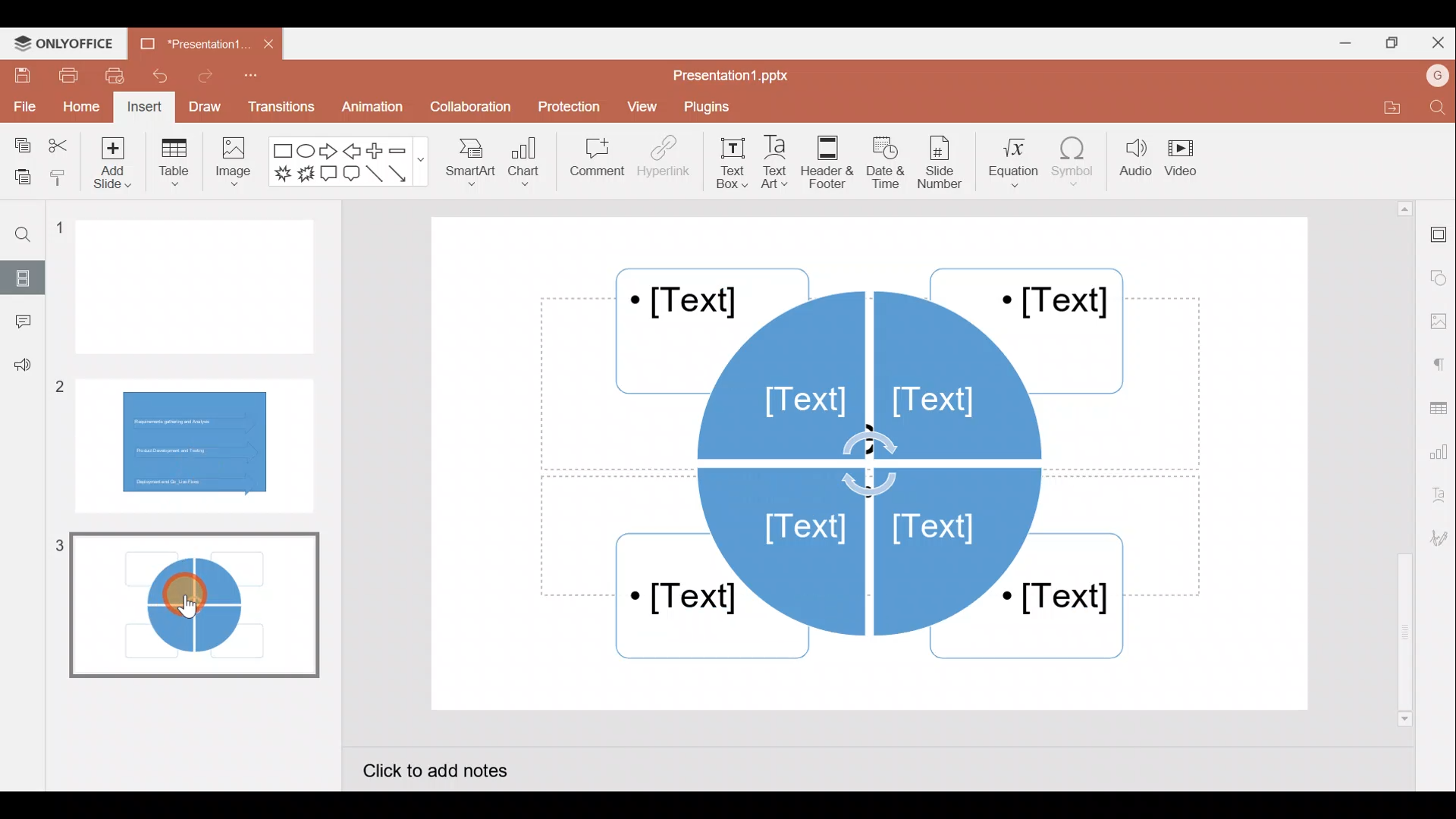  Describe the element at coordinates (1382, 107) in the screenshot. I see `Open file location` at that location.